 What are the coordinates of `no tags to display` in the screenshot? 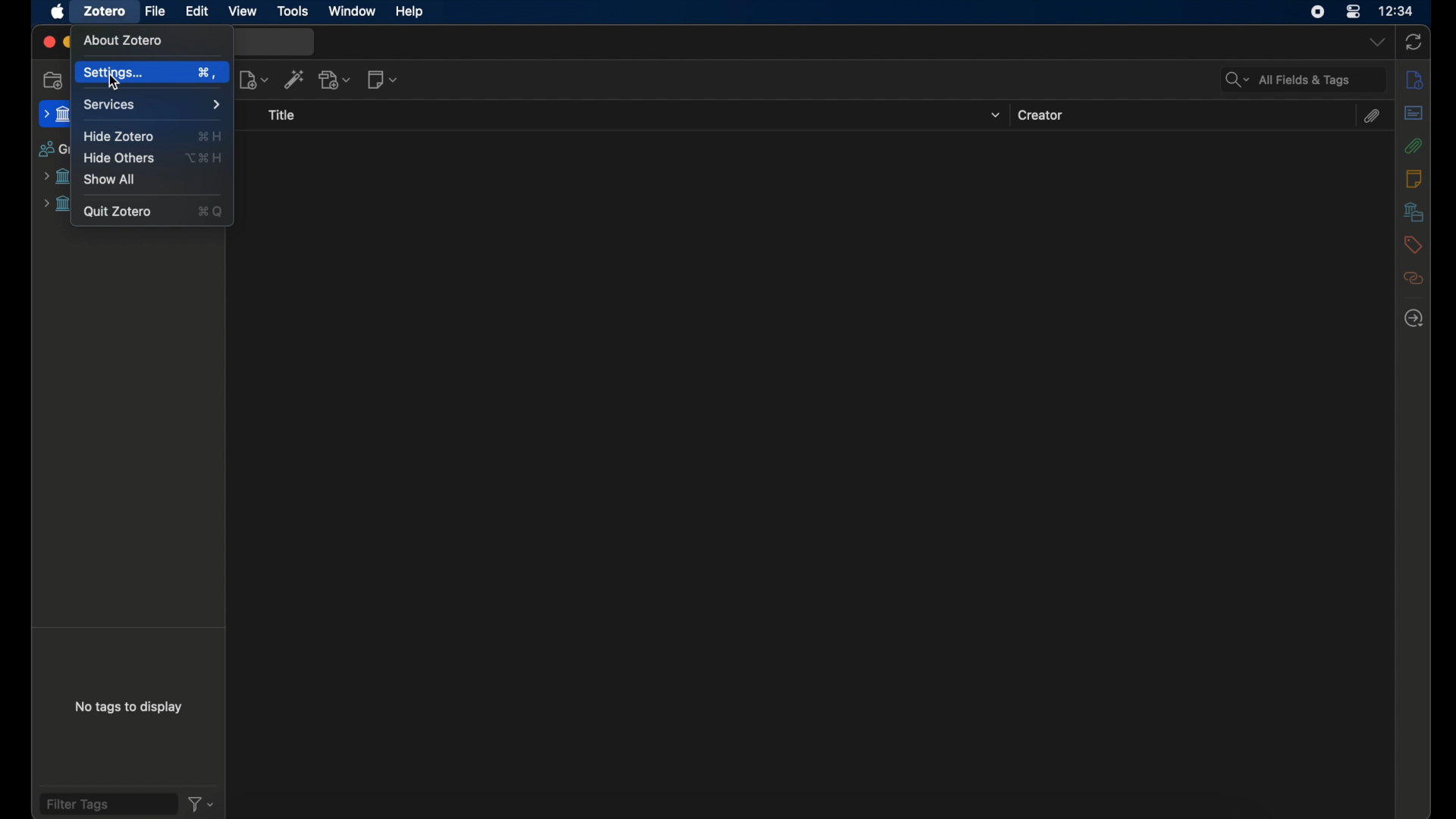 It's located at (127, 707).